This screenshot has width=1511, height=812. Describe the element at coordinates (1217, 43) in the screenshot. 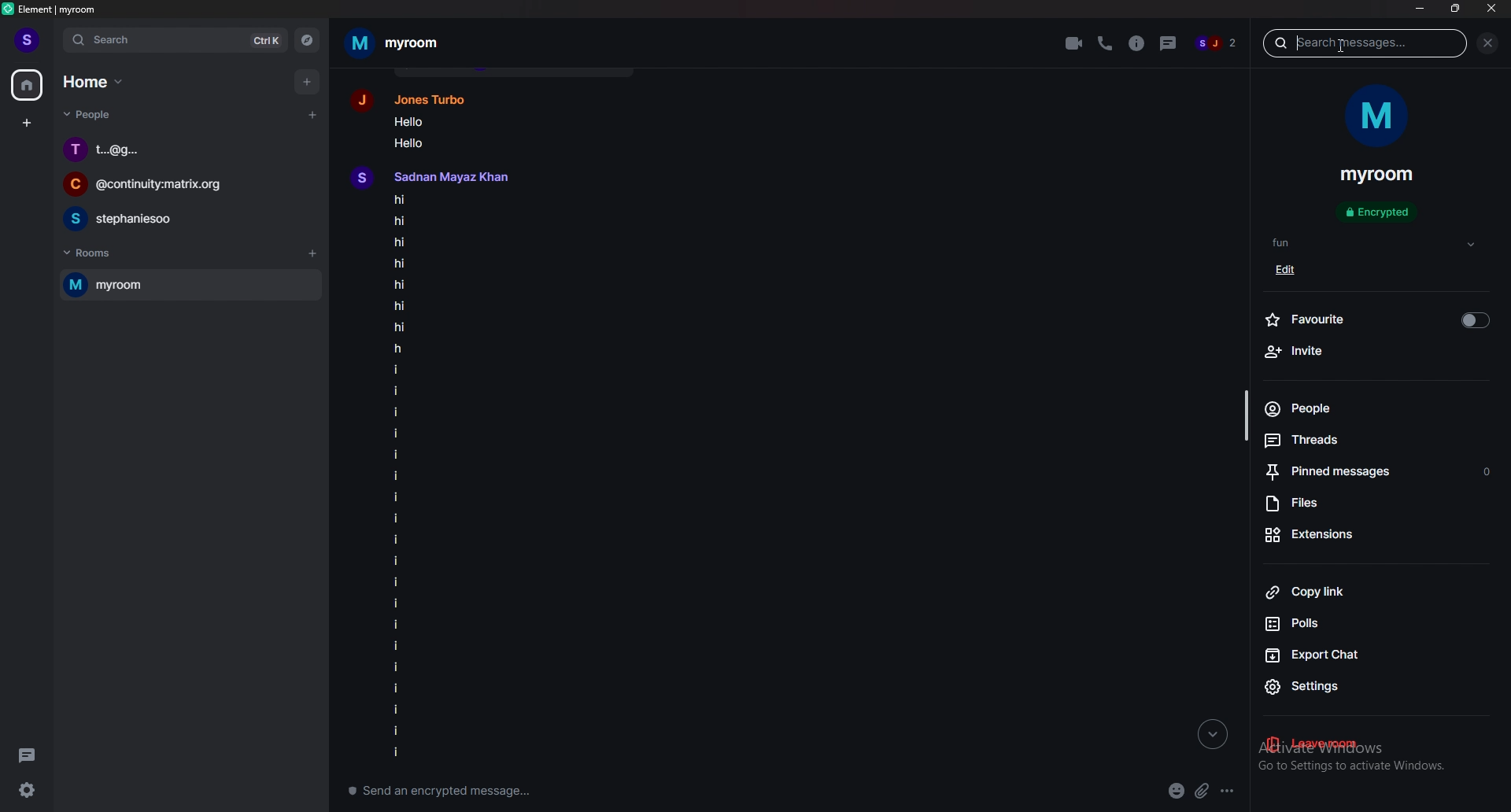

I see `members` at that location.